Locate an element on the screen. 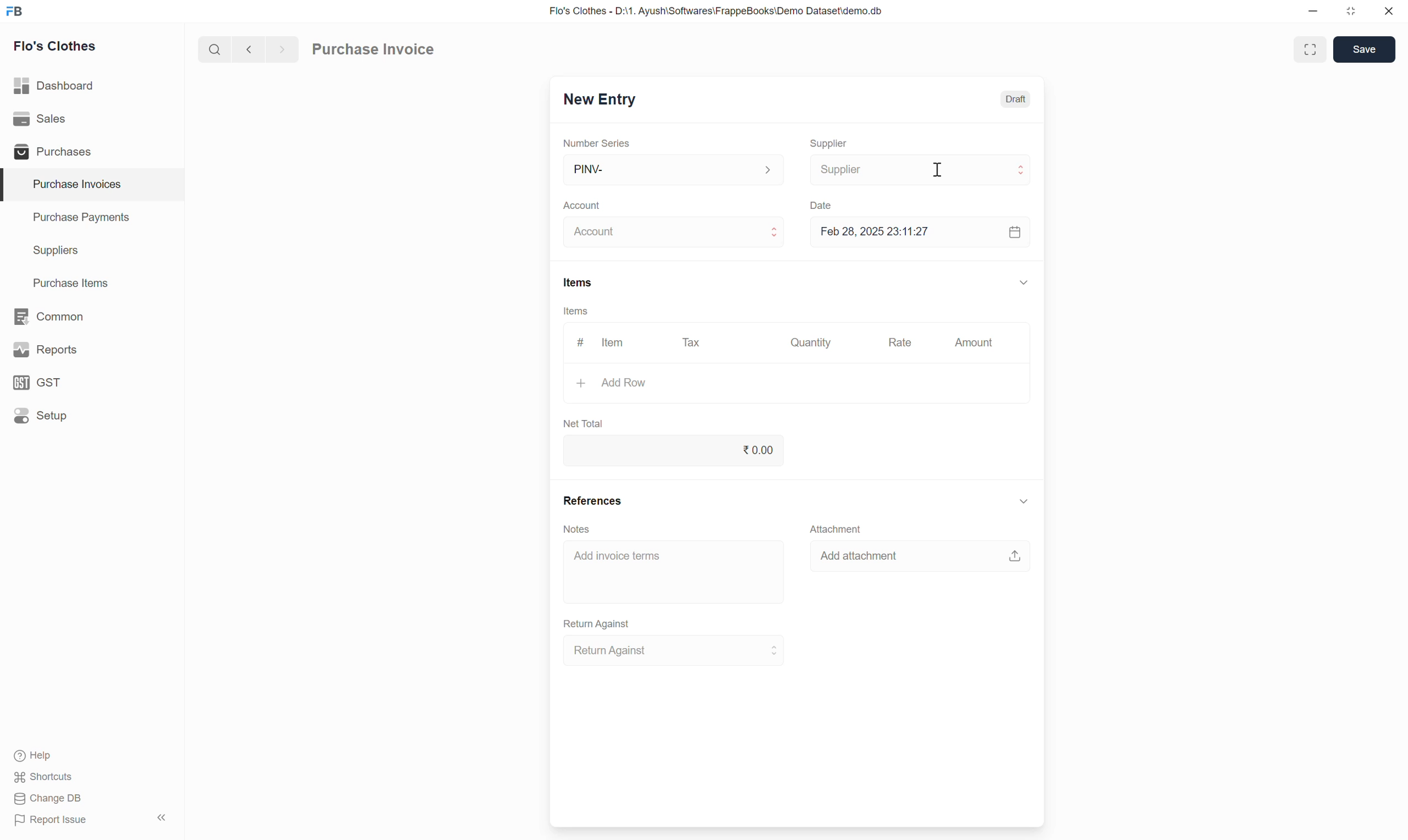 The width and height of the screenshot is (1408, 840). Suppliers is located at coordinates (92, 251).